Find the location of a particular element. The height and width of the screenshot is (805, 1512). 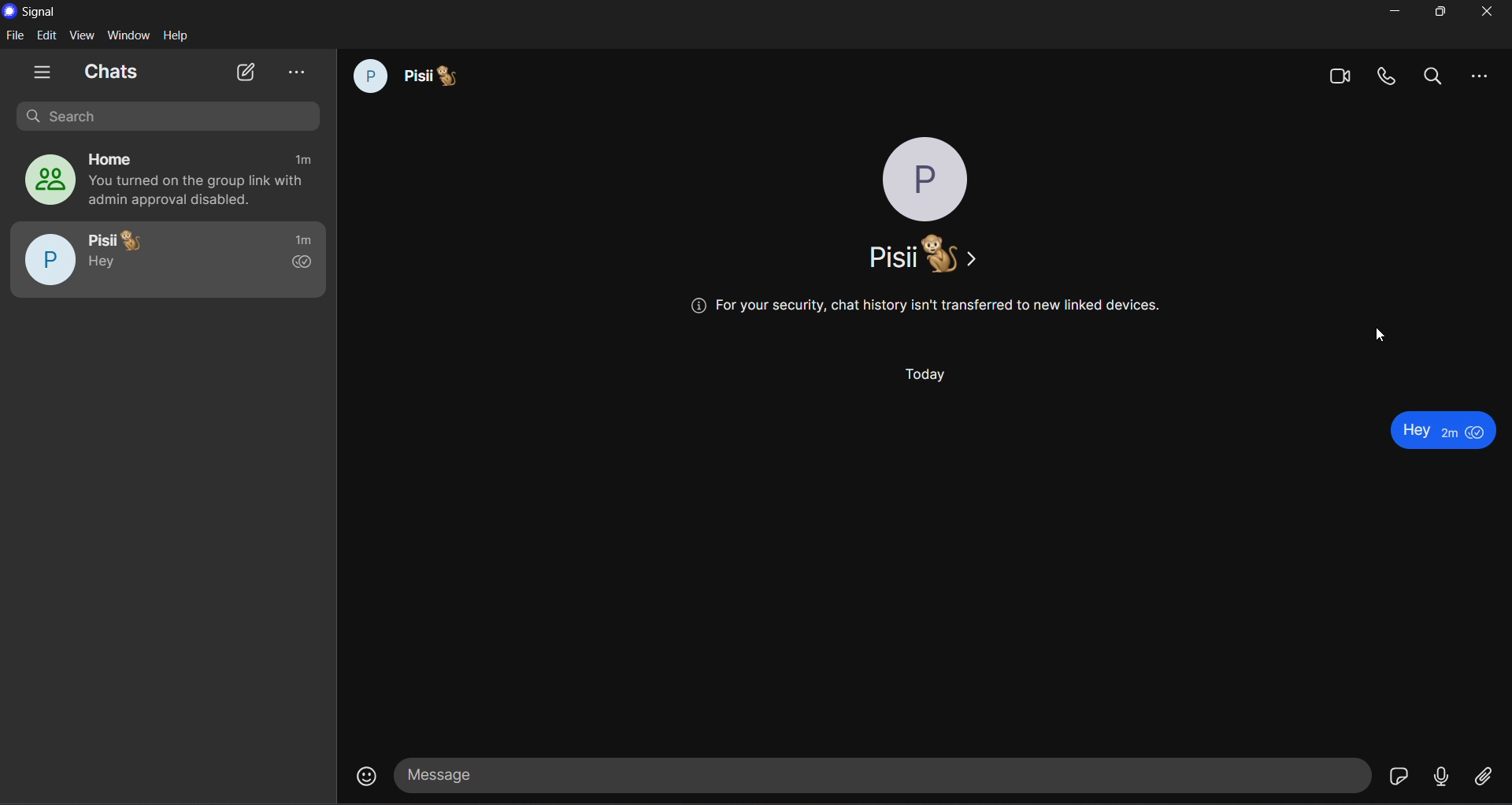

home group chat is located at coordinates (164, 181).